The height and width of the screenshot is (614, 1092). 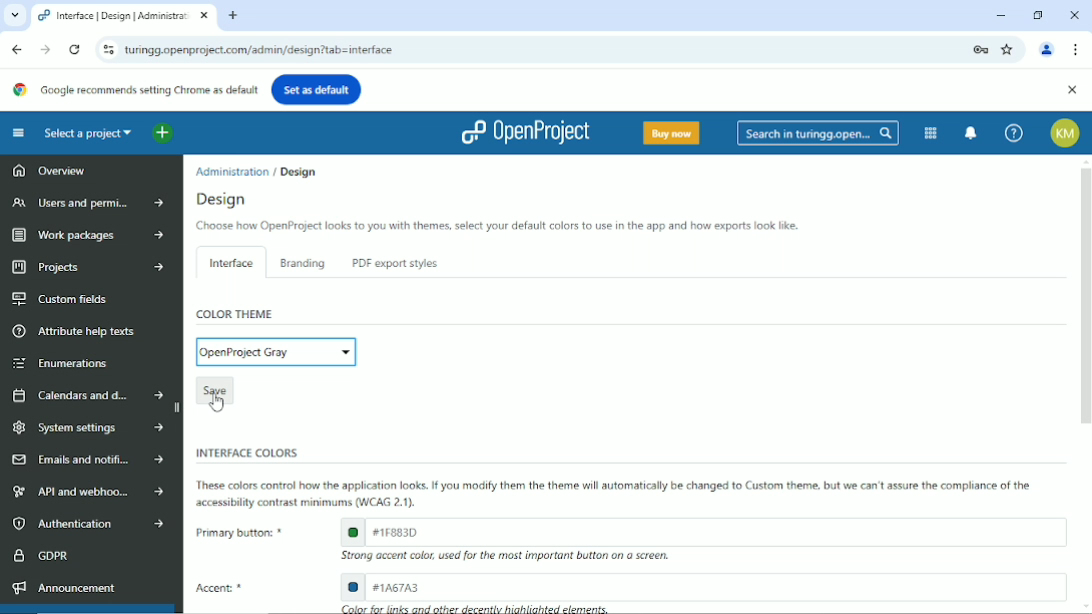 I want to click on Close, so click(x=1071, y=90).